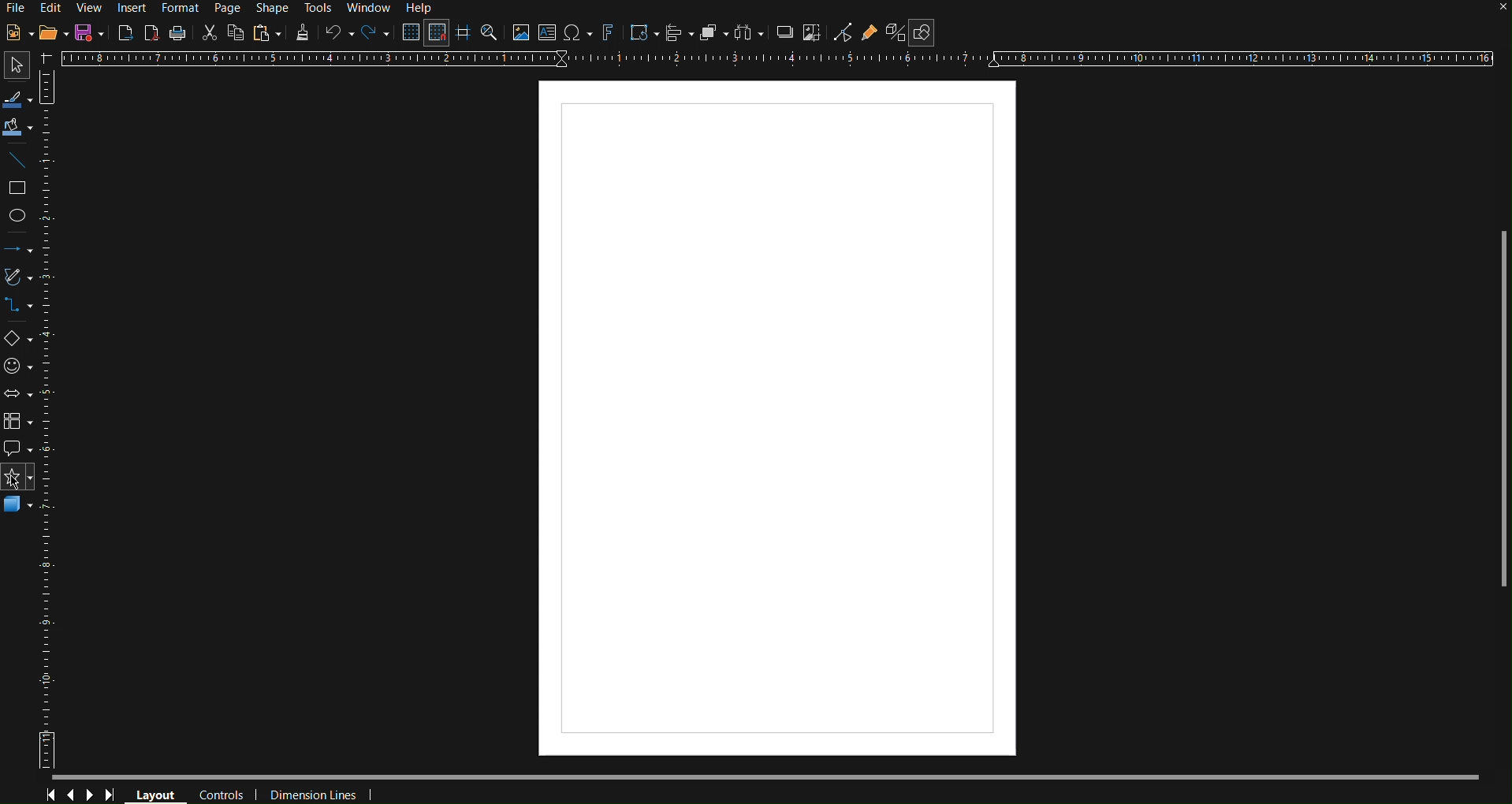 The image size is (1512, 804). What do you see at coordinates (300, 33) in the screenshot?
I see `Formatting` at bounding box center [300, 33].